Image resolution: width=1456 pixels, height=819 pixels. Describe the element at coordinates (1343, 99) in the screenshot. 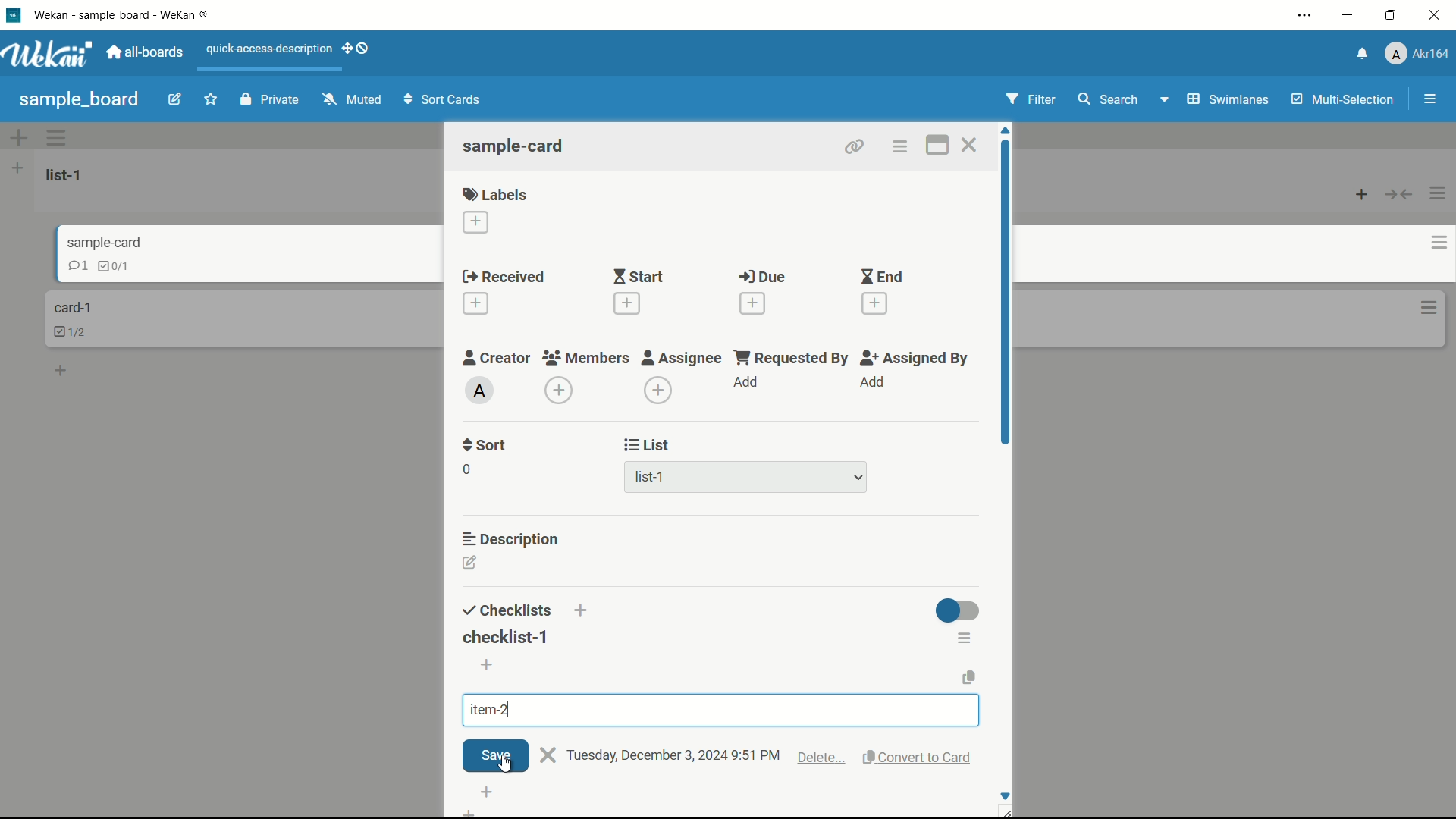

I see `multi-selection` at that location.